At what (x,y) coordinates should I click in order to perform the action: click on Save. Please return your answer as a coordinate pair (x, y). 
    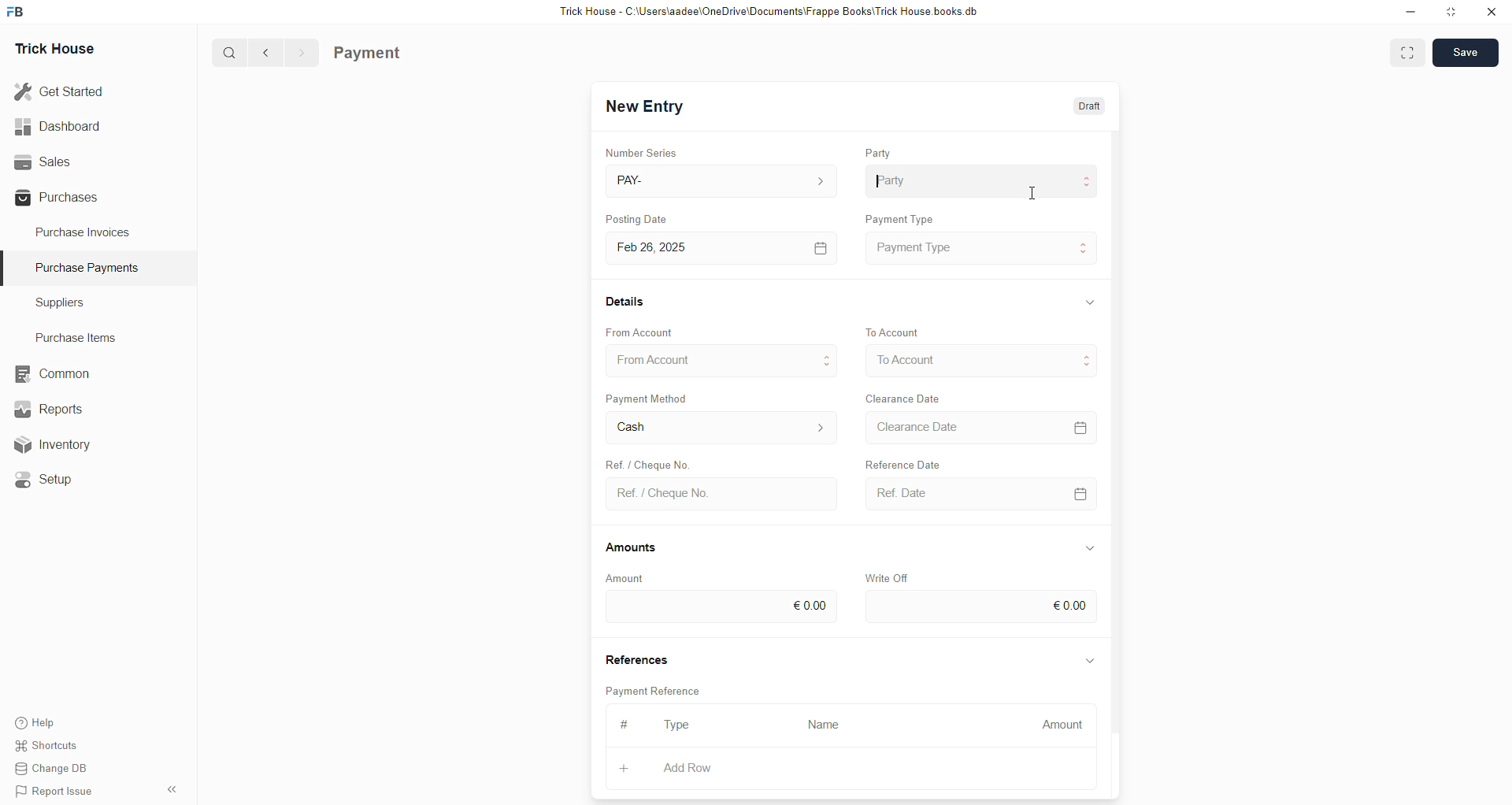
    Looking at the image, I should click on (1464, 54).